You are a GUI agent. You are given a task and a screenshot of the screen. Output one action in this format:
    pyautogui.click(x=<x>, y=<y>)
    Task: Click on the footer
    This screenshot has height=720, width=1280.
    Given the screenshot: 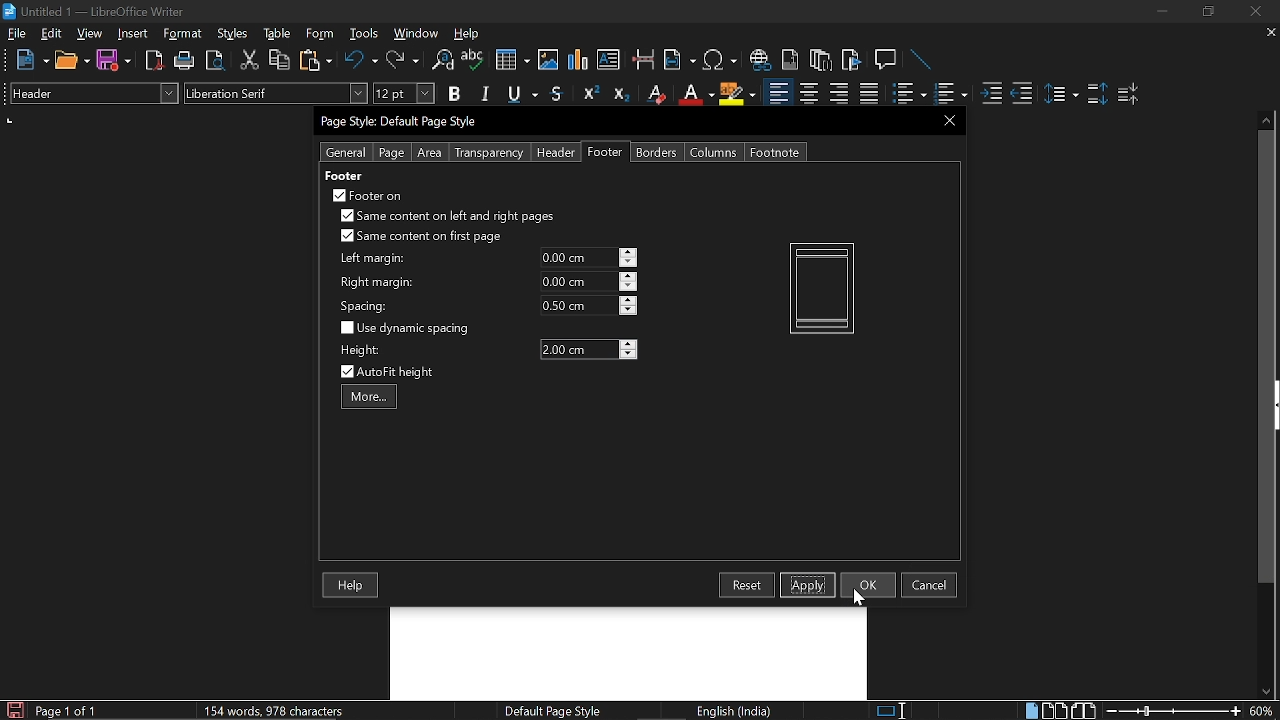 What is the action you would take?
    pyautogui.click(x=343, y=175)
    